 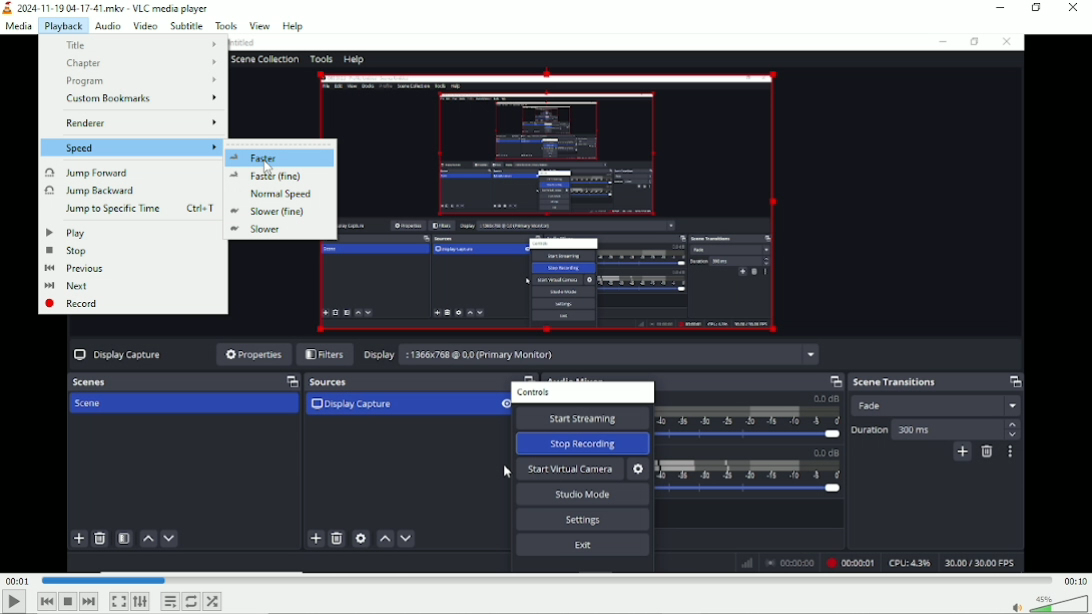 What do you see at coordinates (107, 24) in the screenshot?
I see `audio` at bounding box center [107, 24].